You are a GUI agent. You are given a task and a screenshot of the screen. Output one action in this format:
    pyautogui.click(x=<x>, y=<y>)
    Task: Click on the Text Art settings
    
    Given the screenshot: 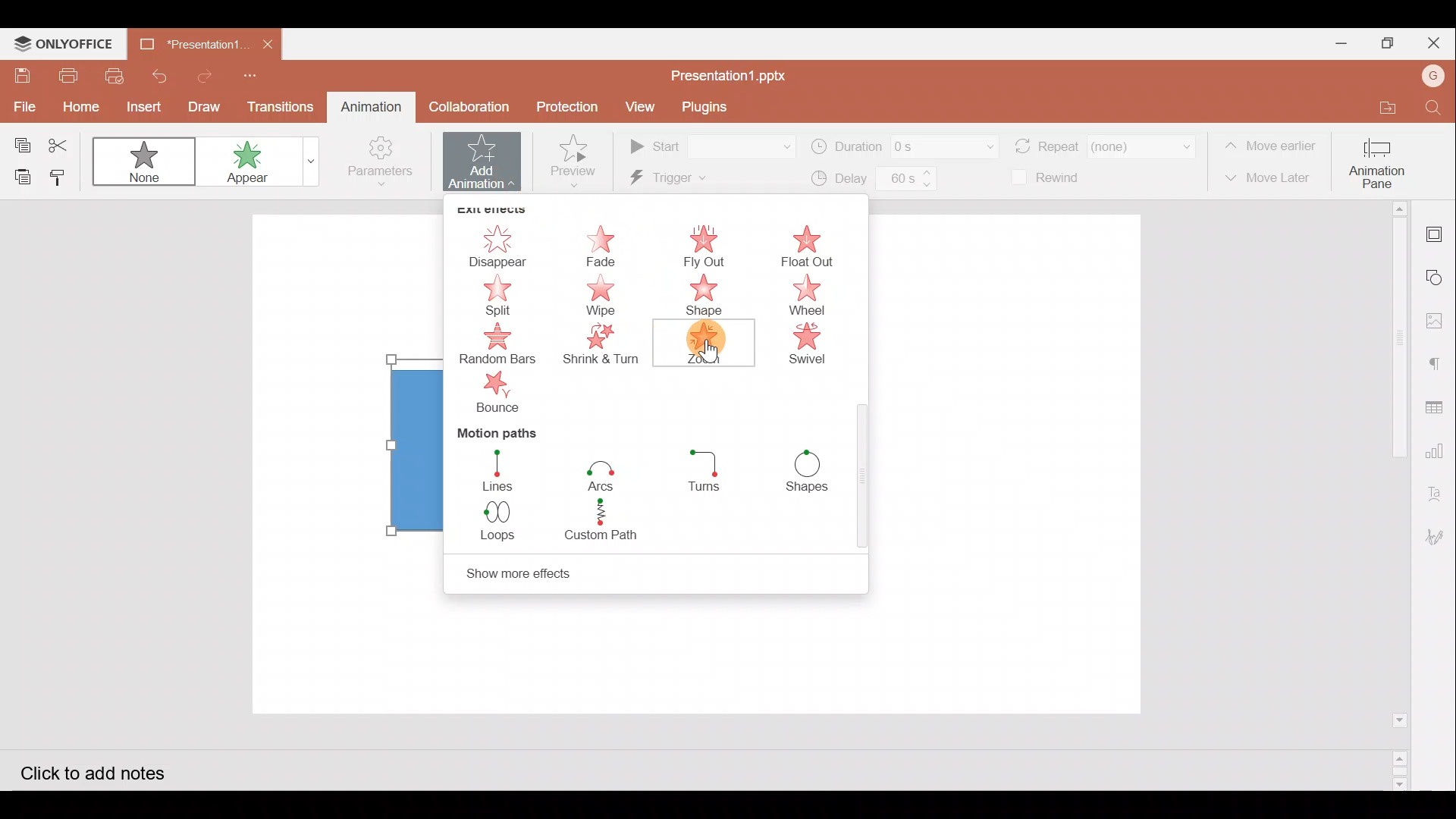 What is the action you would take?
    pyautogui.click(x=1439, y=488)
    